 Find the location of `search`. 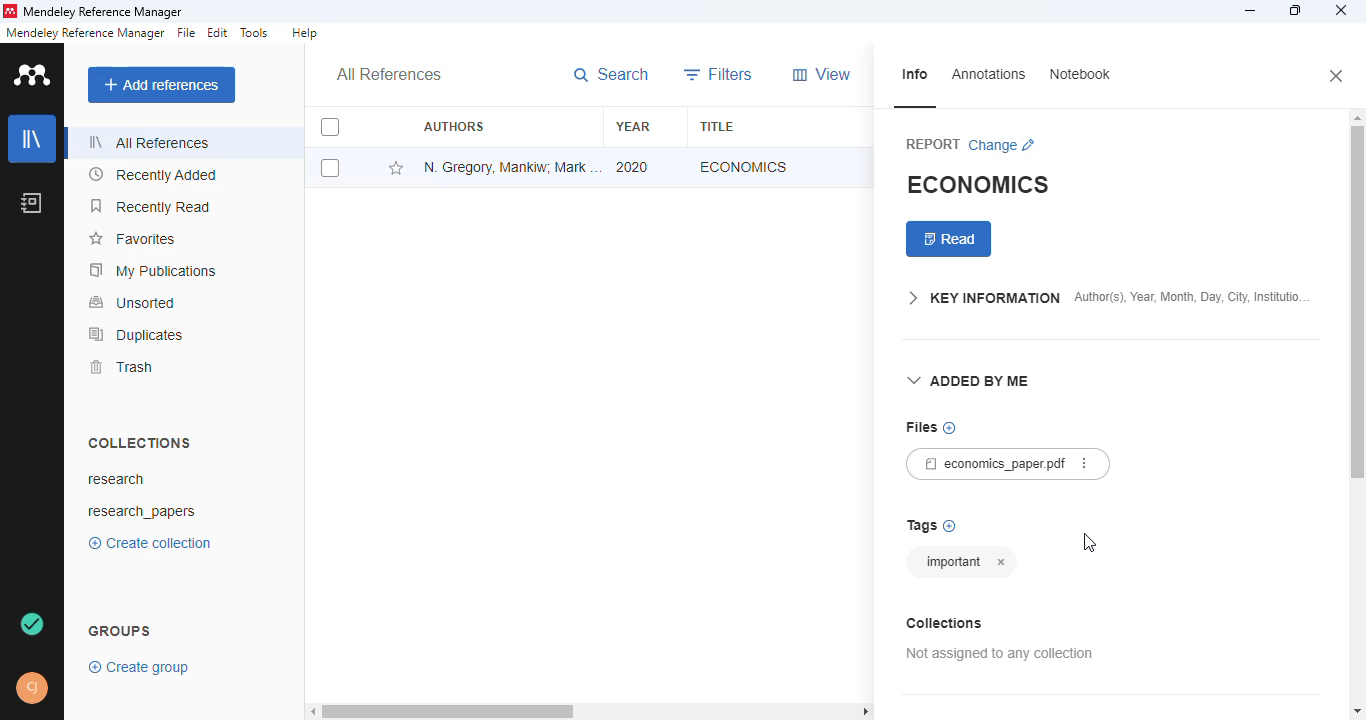

search is located at coordinates (611, 75).